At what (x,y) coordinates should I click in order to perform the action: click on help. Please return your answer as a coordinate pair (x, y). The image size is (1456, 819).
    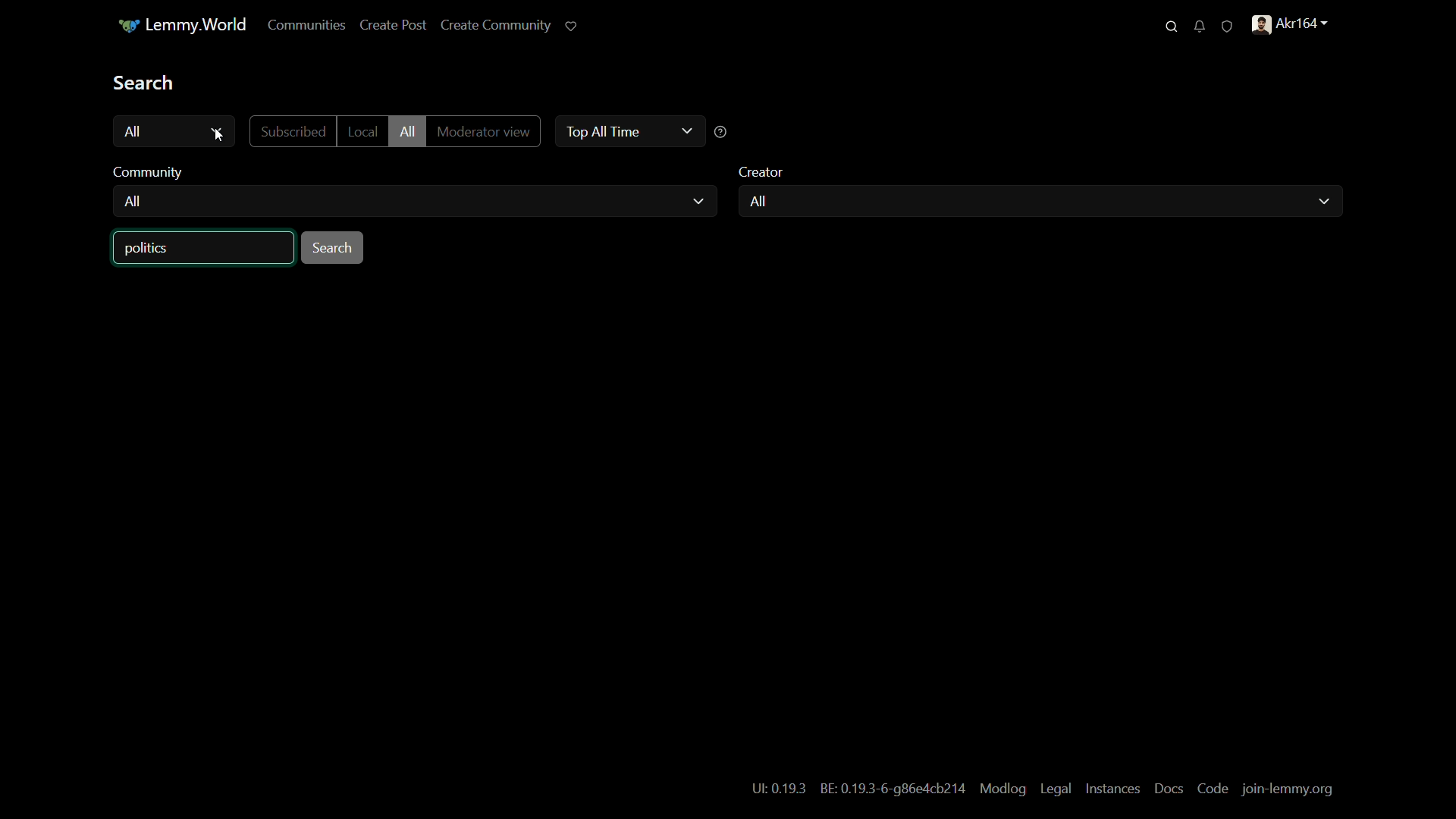
    Looking at the image, I should click on (721, 133).